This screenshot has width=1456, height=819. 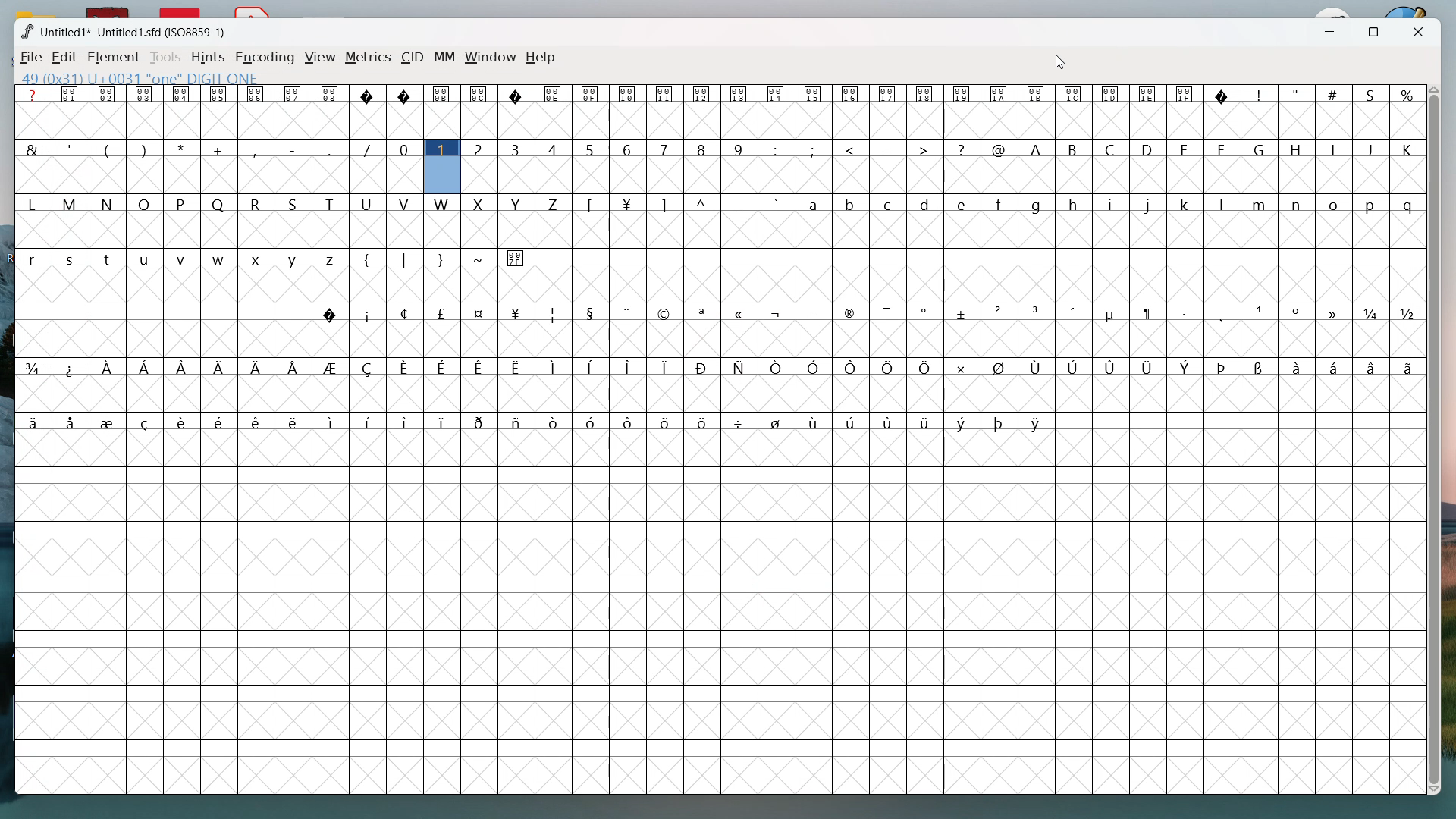 I want to click on encoding, so click(x=265, y=58).